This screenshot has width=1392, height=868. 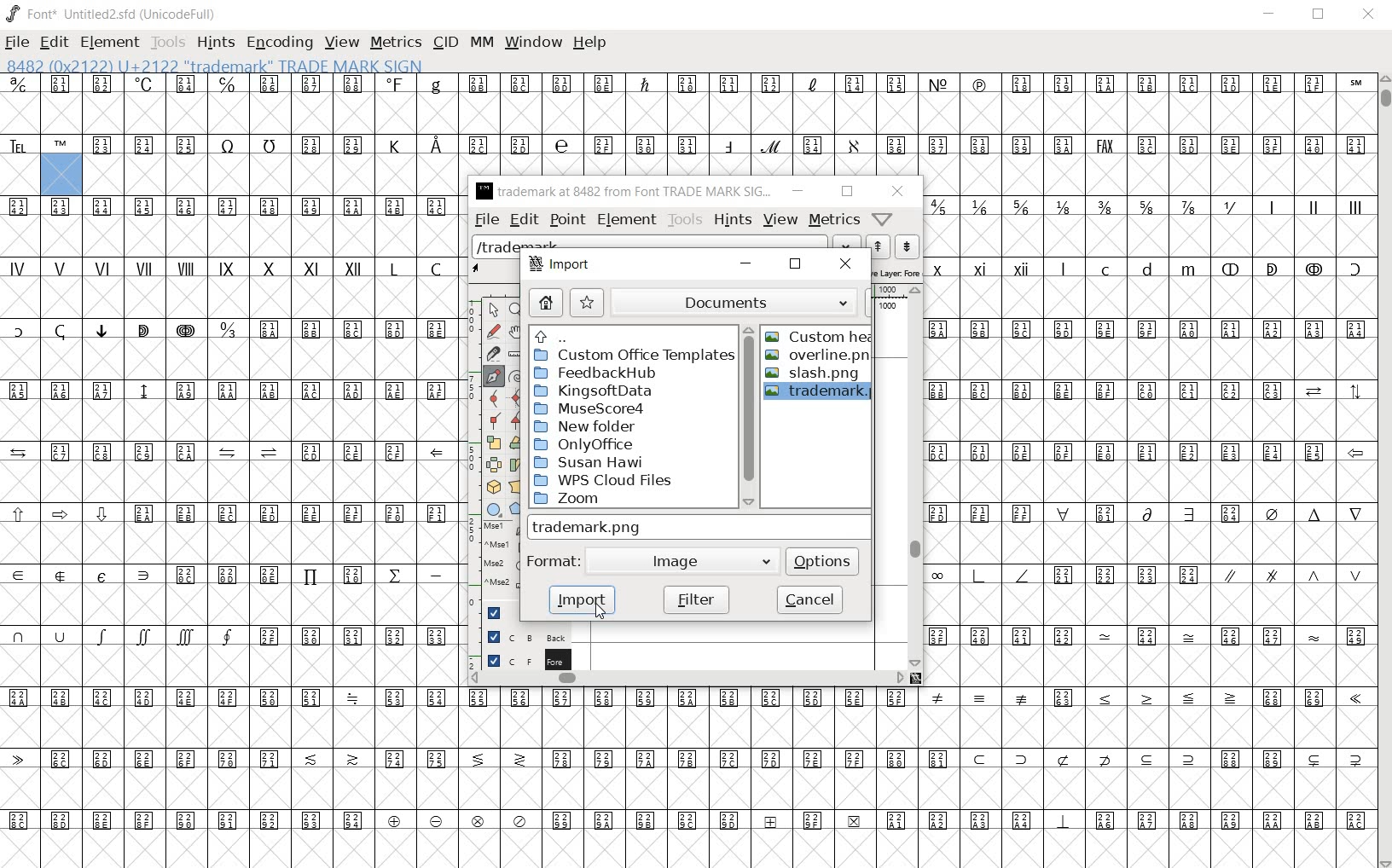 I want to click on CID, so click(x=445, y=45).